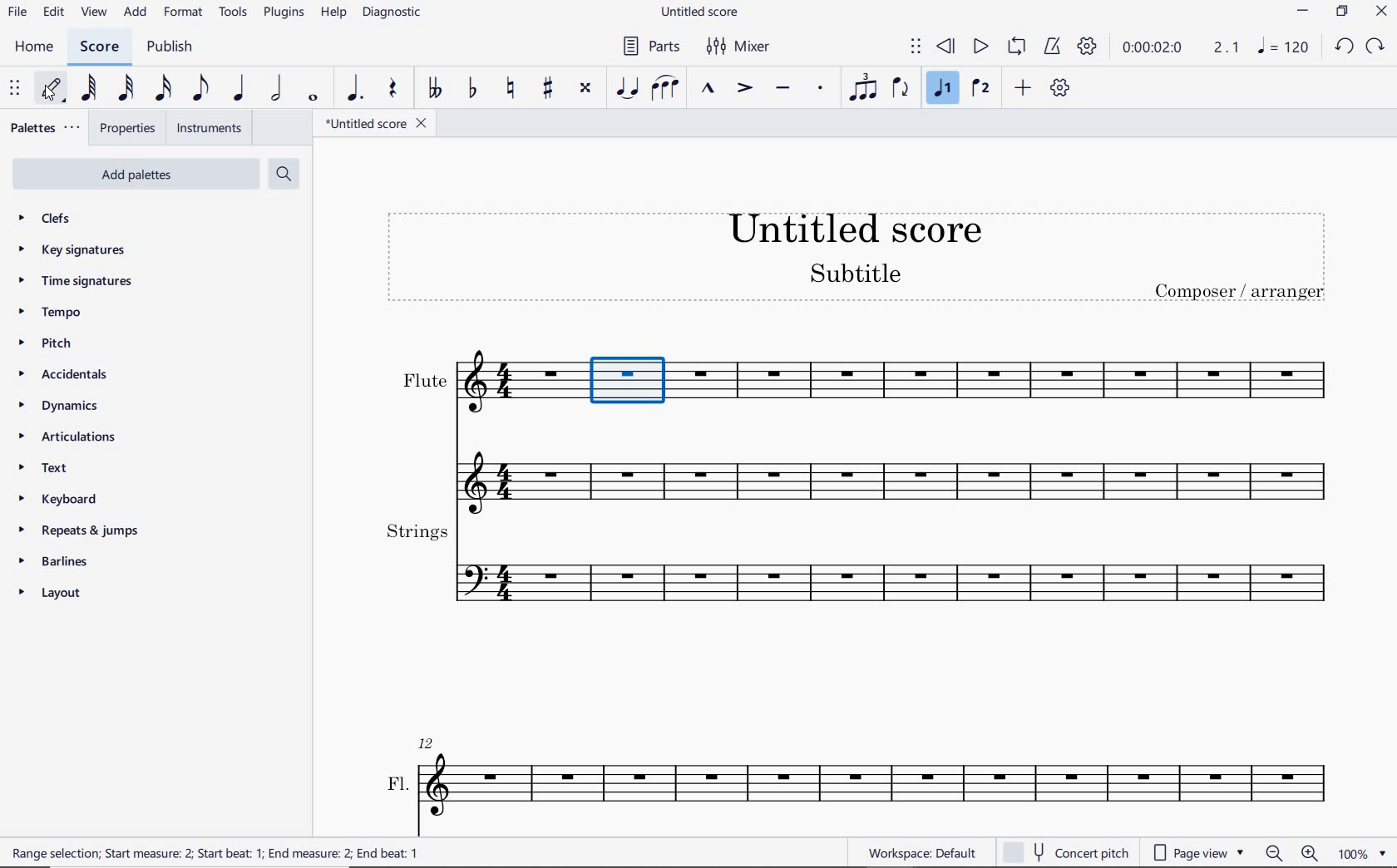 This screenshot has width=1397, height=868. What do you see at coordinates (279, 89) in the screenshot?
I see `HALF NOTE` at bounding box center [279, 89].